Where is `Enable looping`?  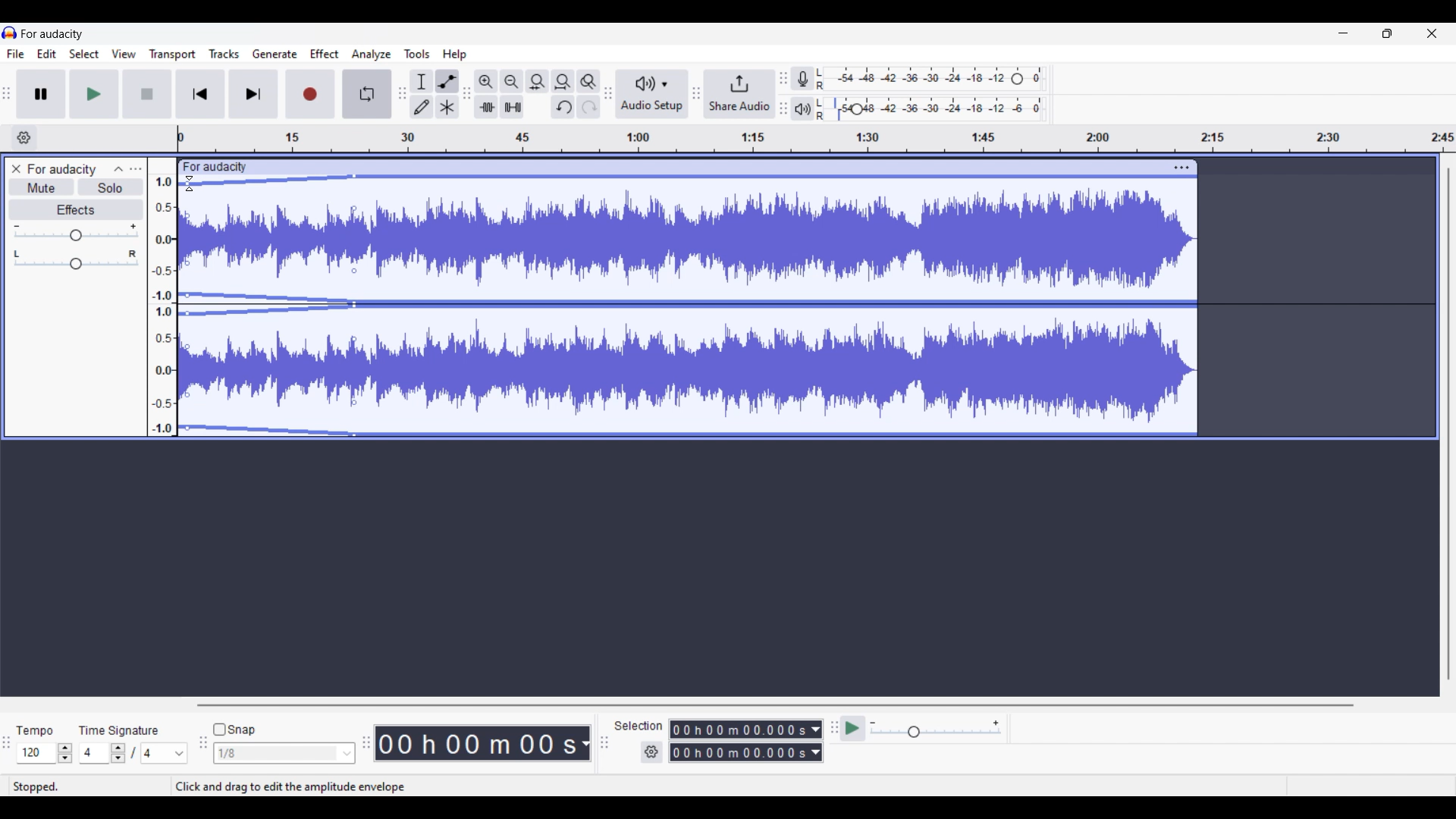 Enable looping is located at coordinates (367, 94).